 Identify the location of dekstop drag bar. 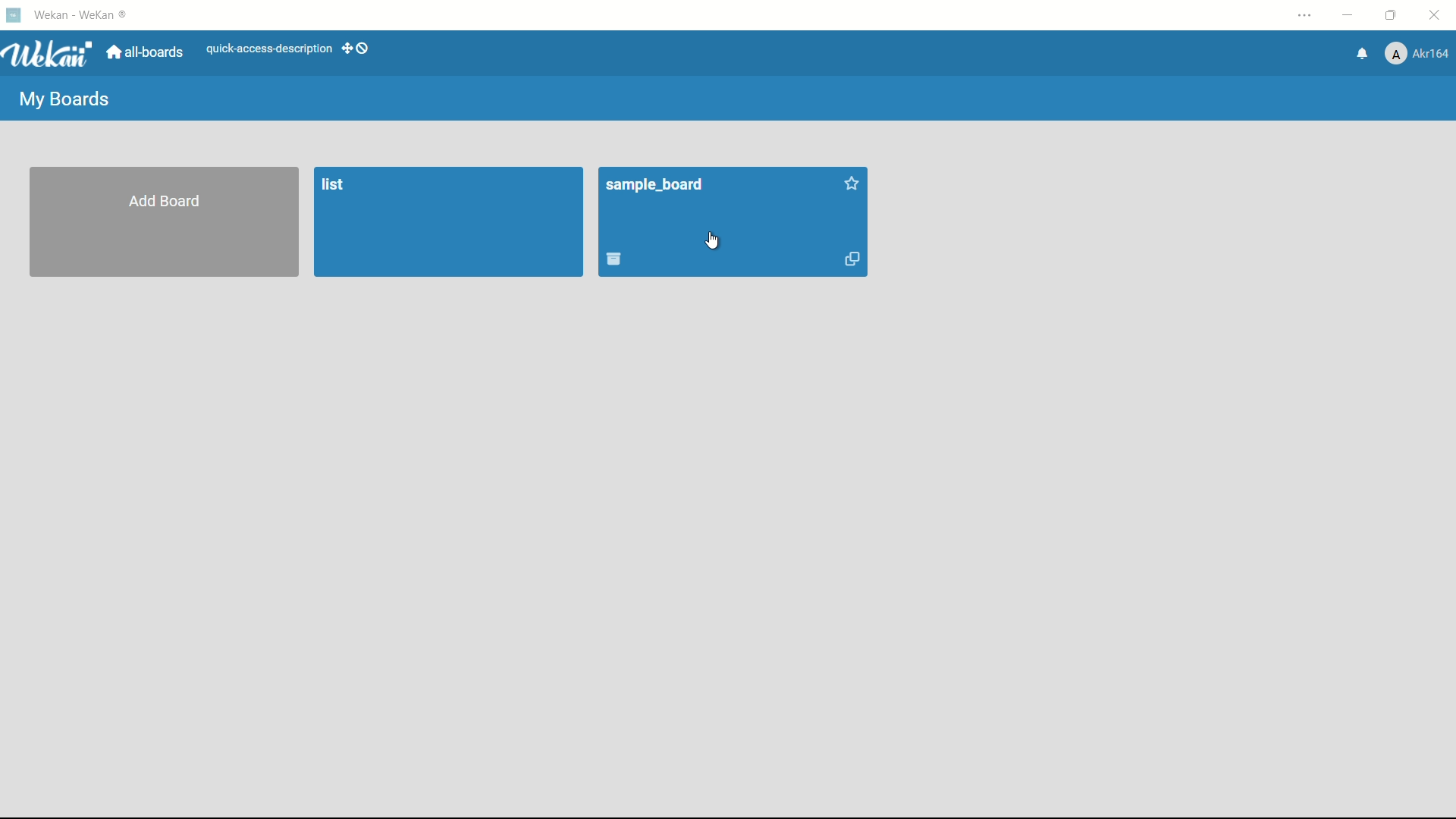
(359, 50).